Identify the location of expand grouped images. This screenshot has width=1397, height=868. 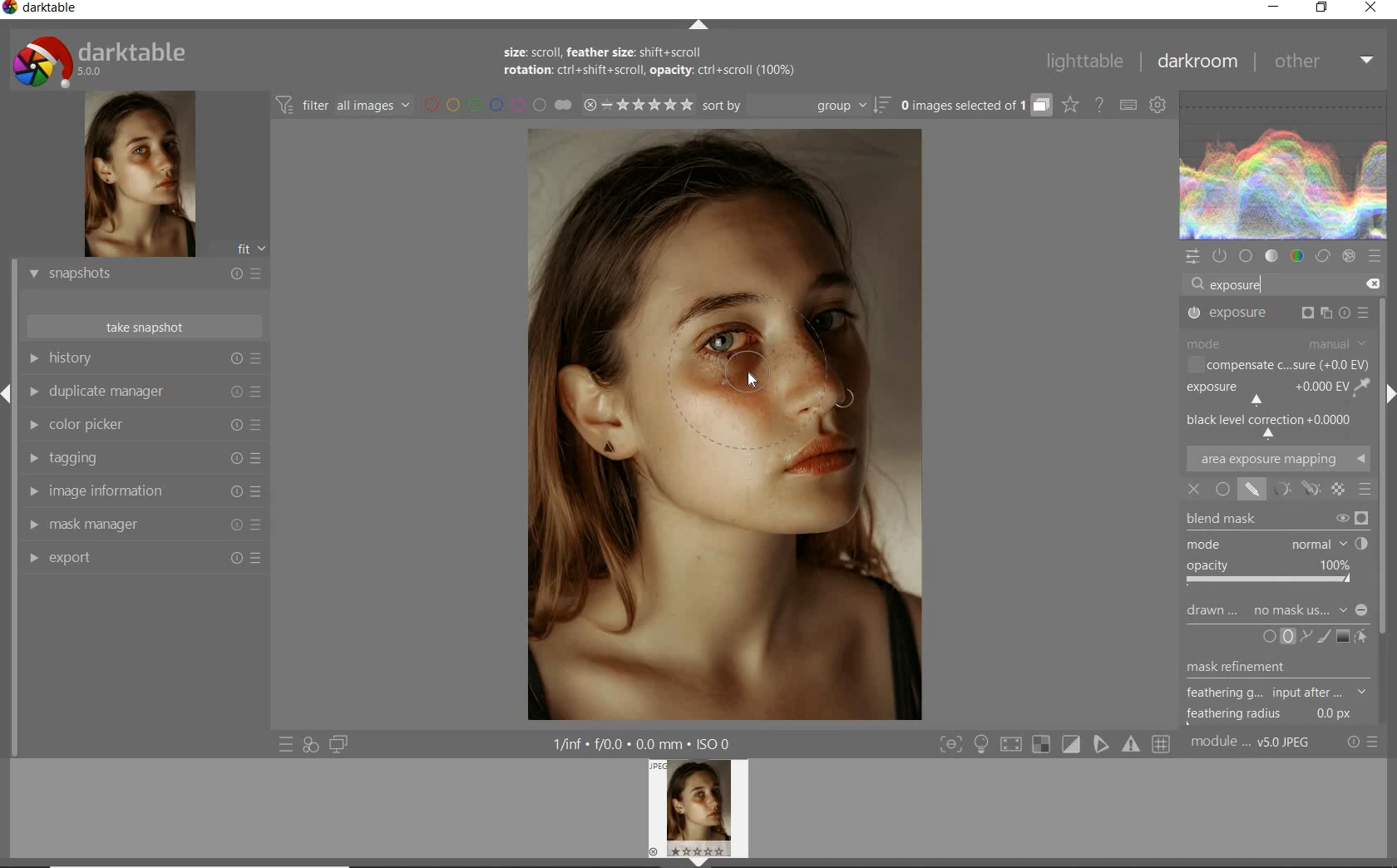
(974, 106).